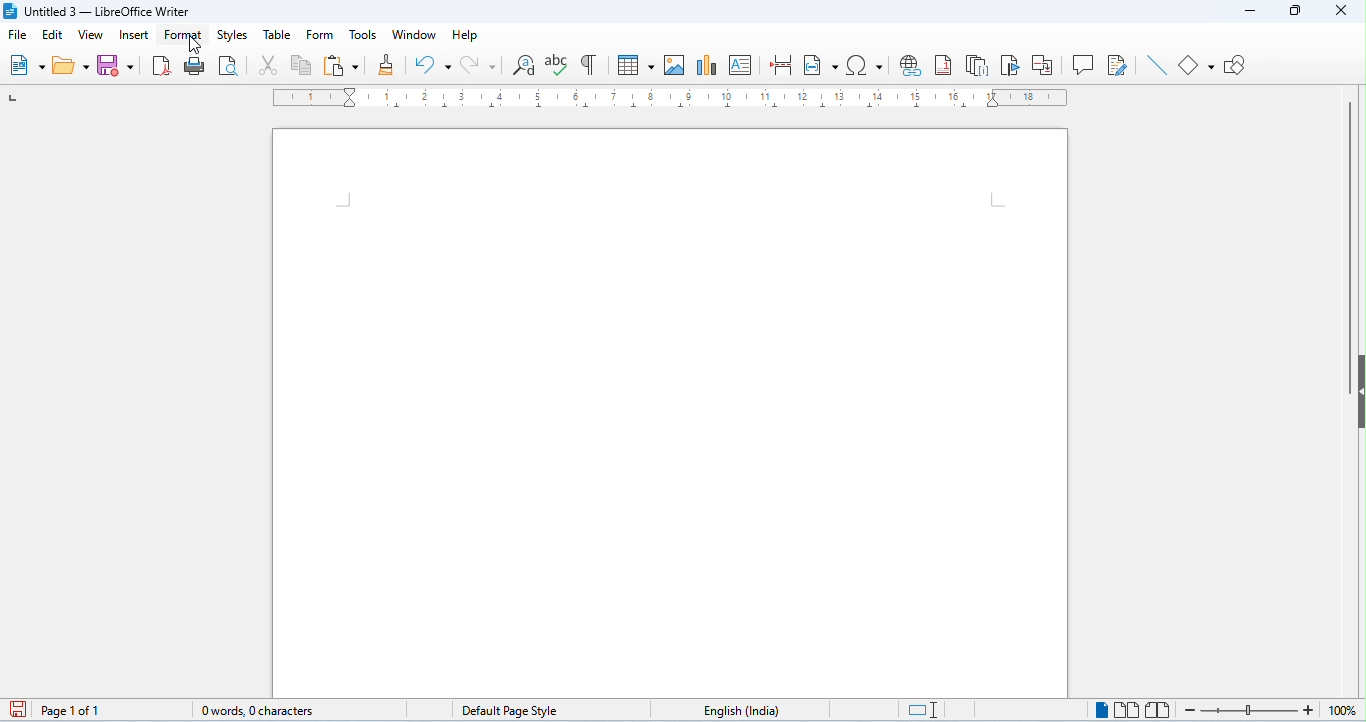 The width and height of the screenshot is (1366, 722). What do you see at coordinates (1274, 711) in the screenshot?
I see `zoom` at bounding box center [1274, 711].